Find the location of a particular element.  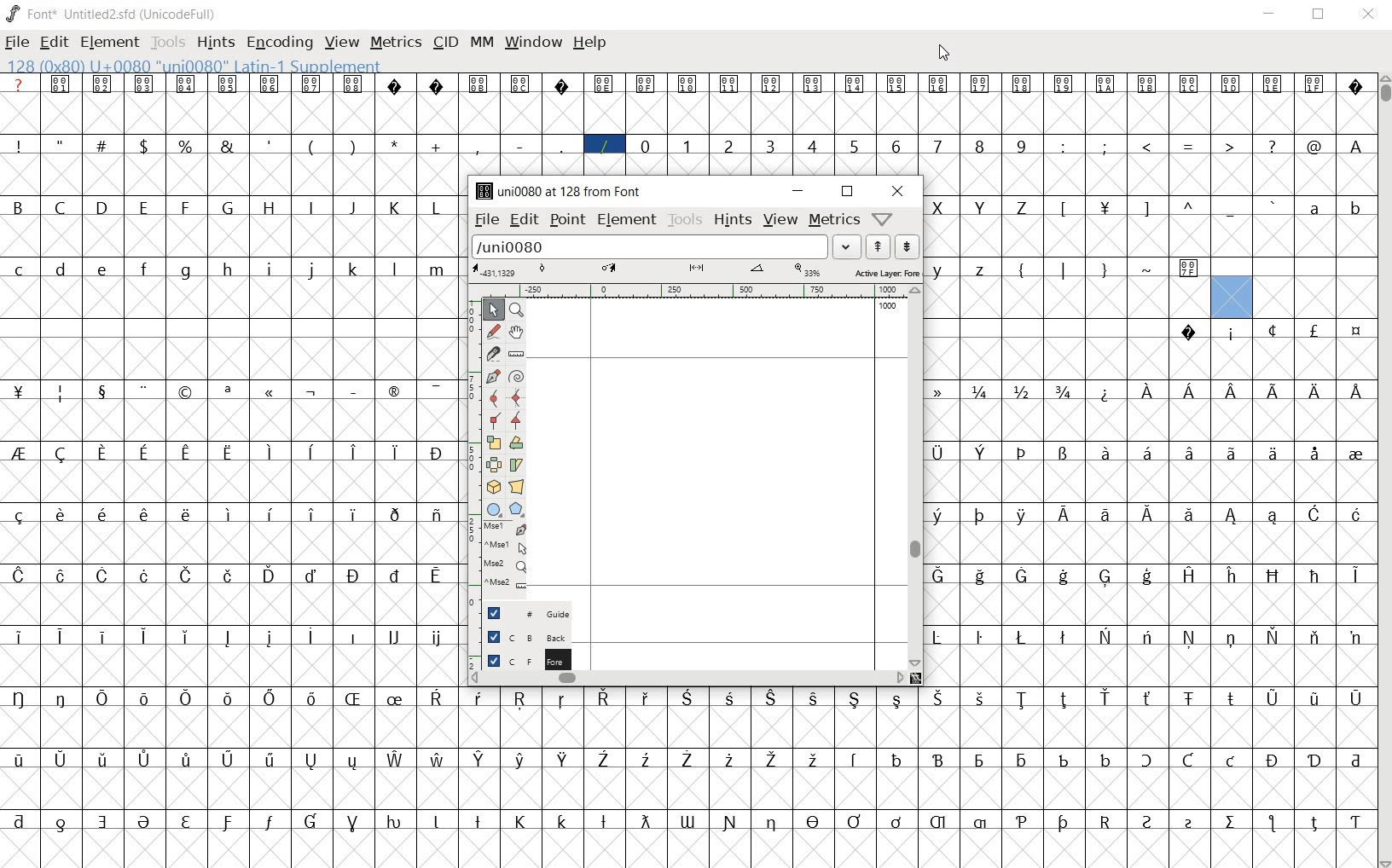

glyph is located at coordinates (1064, 270).